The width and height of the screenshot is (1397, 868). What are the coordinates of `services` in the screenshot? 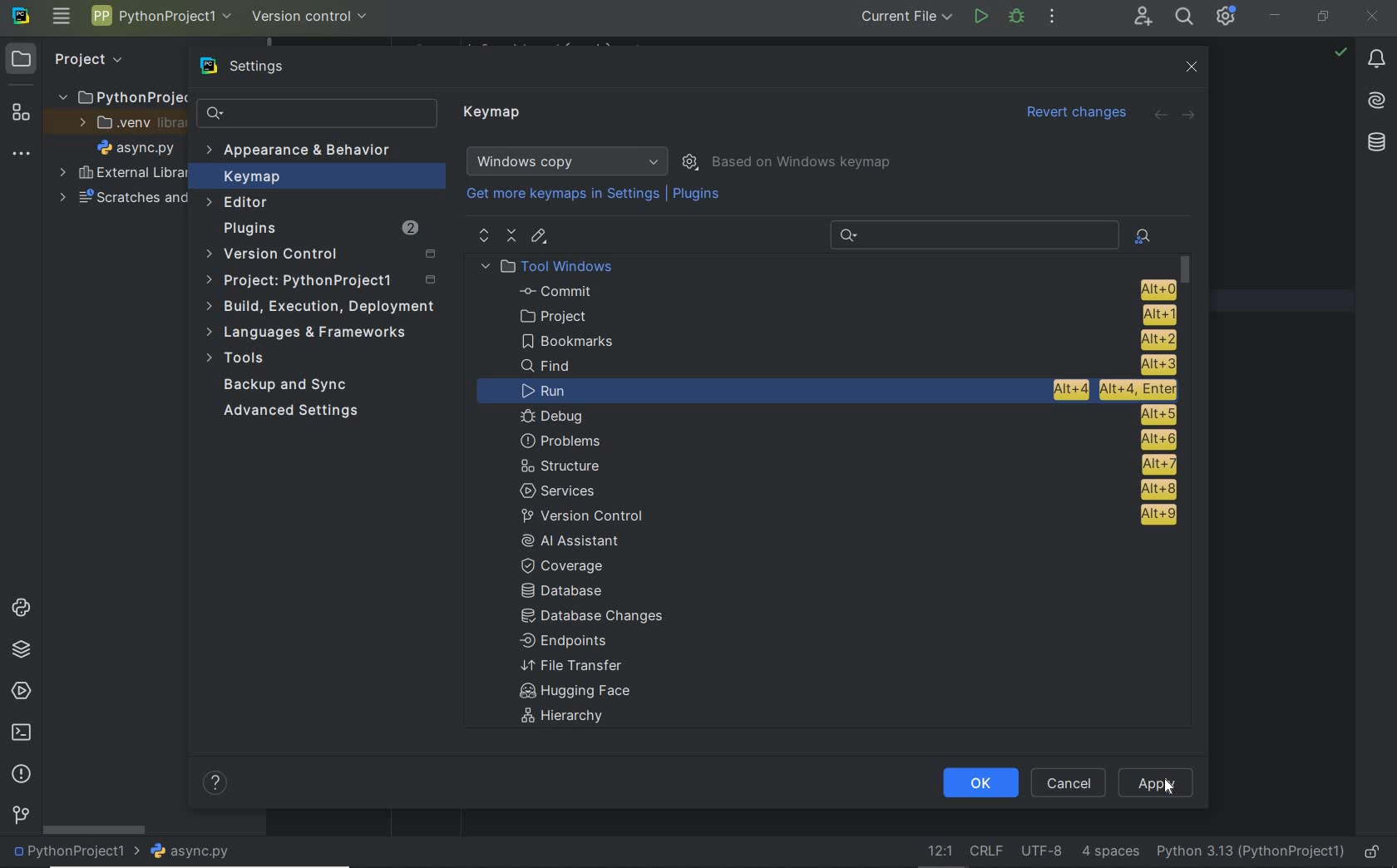 It's located at (18, 692).